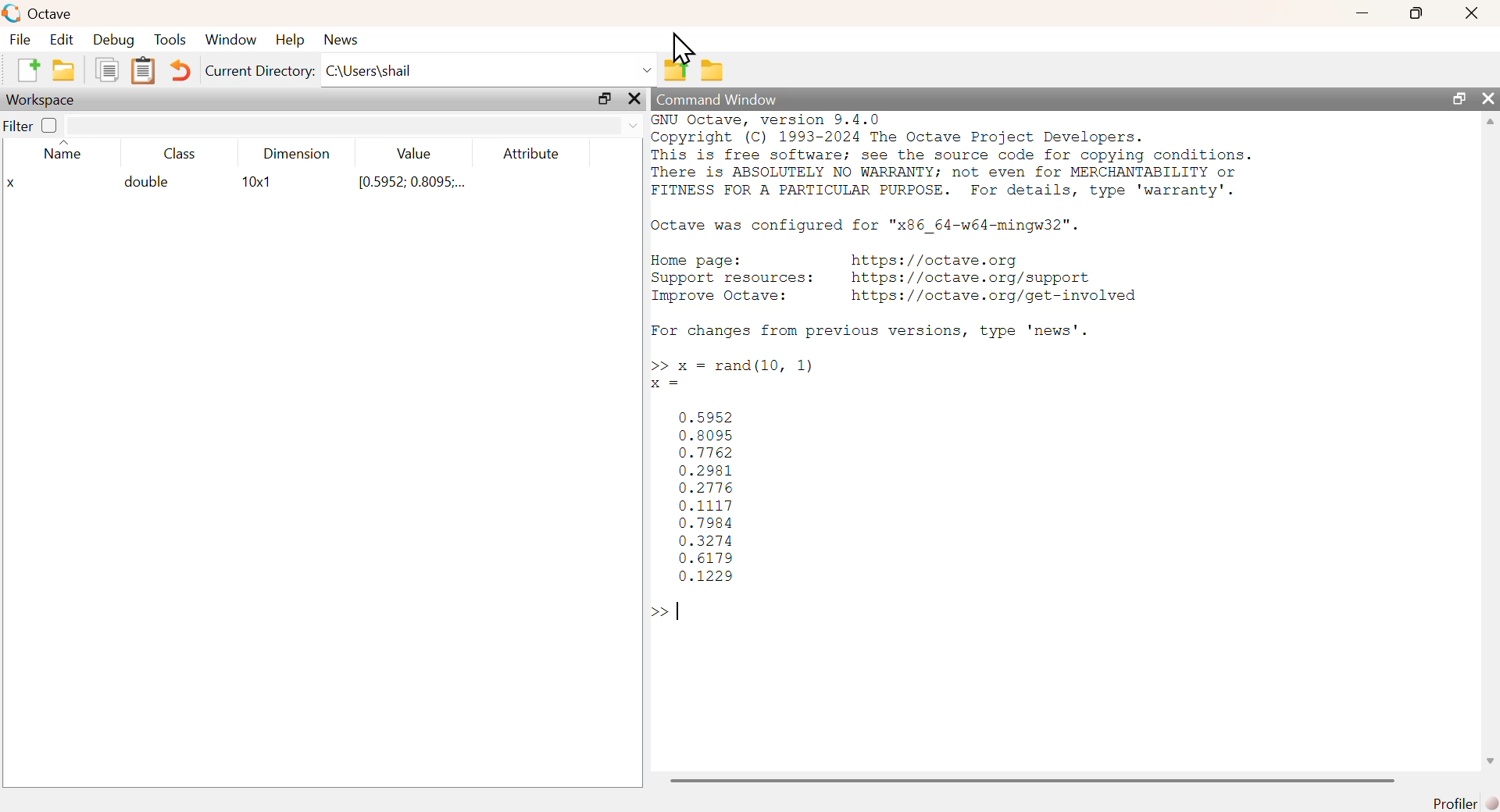 The image size is (1500, 812). I want to click on filter, so click(16, 126).